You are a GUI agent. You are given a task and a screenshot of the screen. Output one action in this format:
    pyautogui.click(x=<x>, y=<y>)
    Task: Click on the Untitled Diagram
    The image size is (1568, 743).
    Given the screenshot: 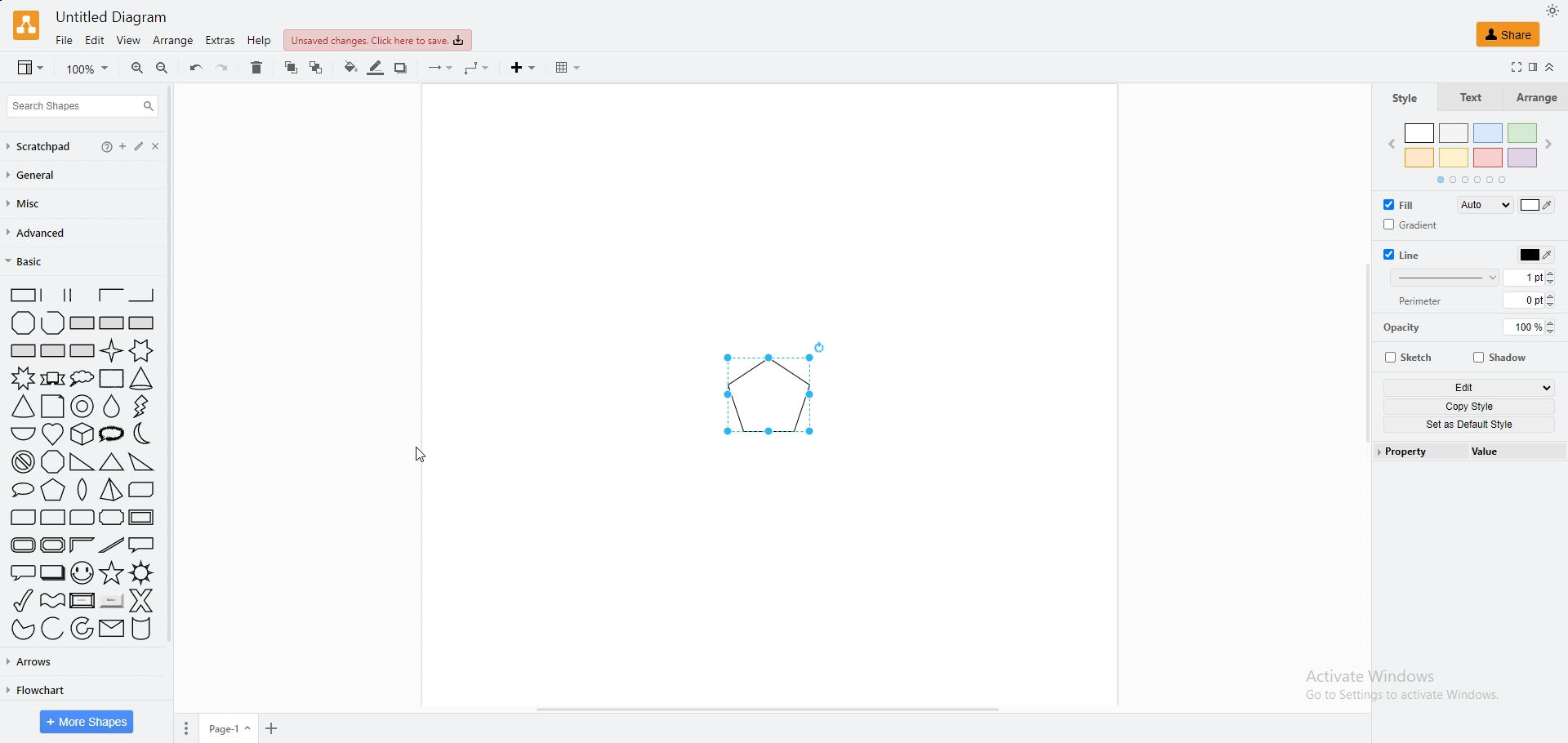 What is the action you would take?
    pyautogui.click(x=113, y=17)
    